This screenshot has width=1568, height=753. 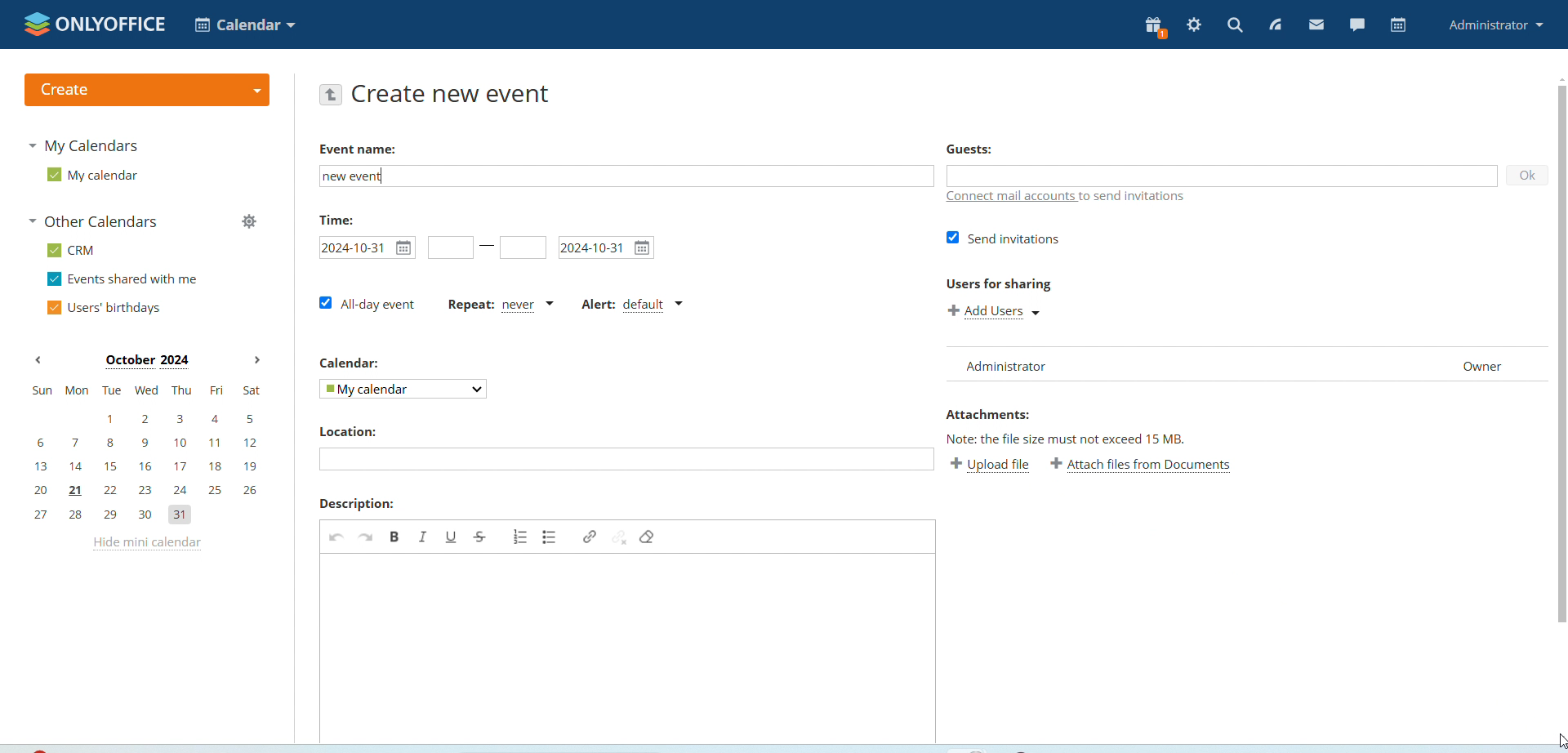 I want to click on users' birthdays, so click(x=105, y=308).